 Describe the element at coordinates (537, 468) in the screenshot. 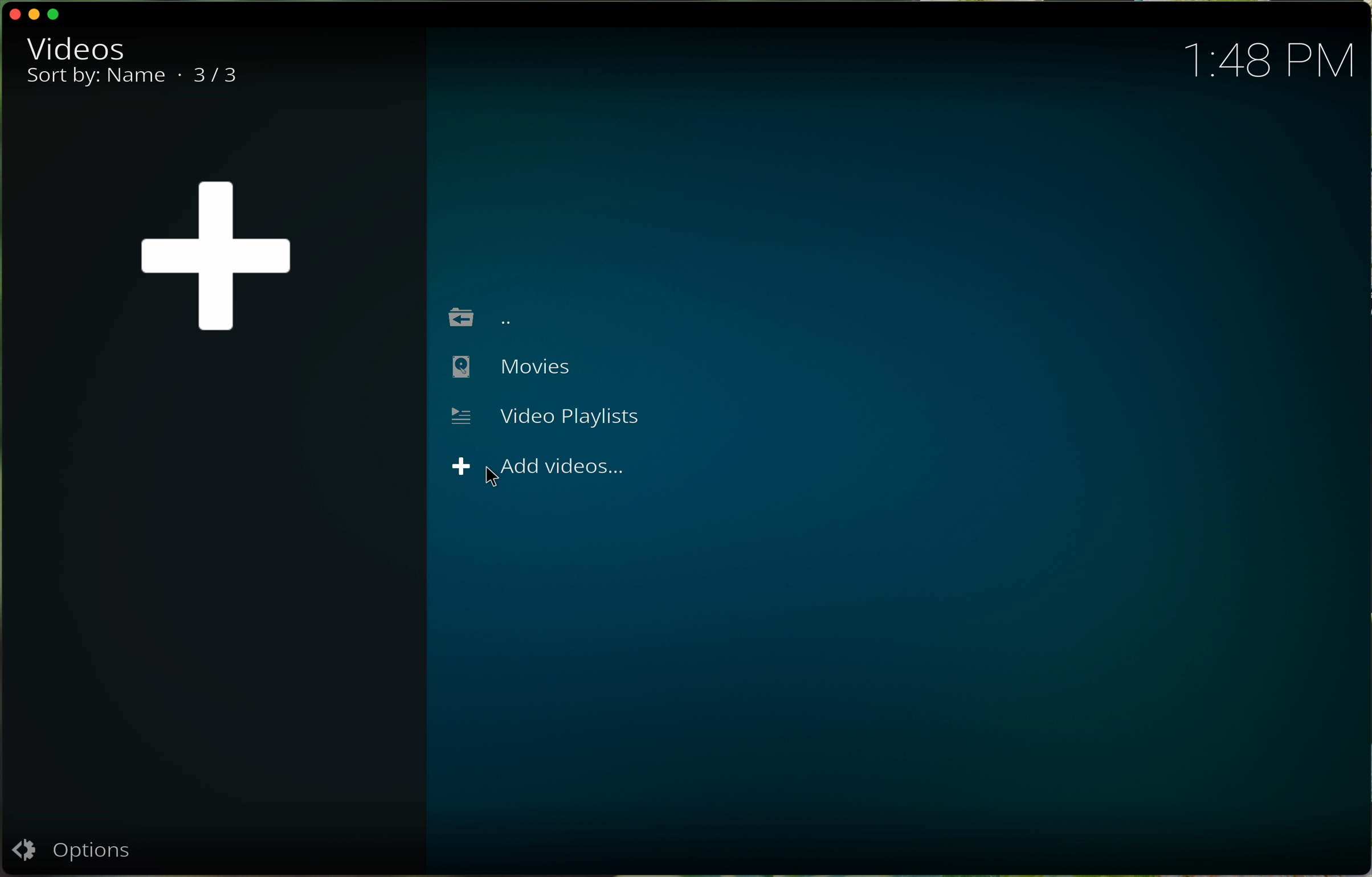

I see `cursor above add videos option` at that location.